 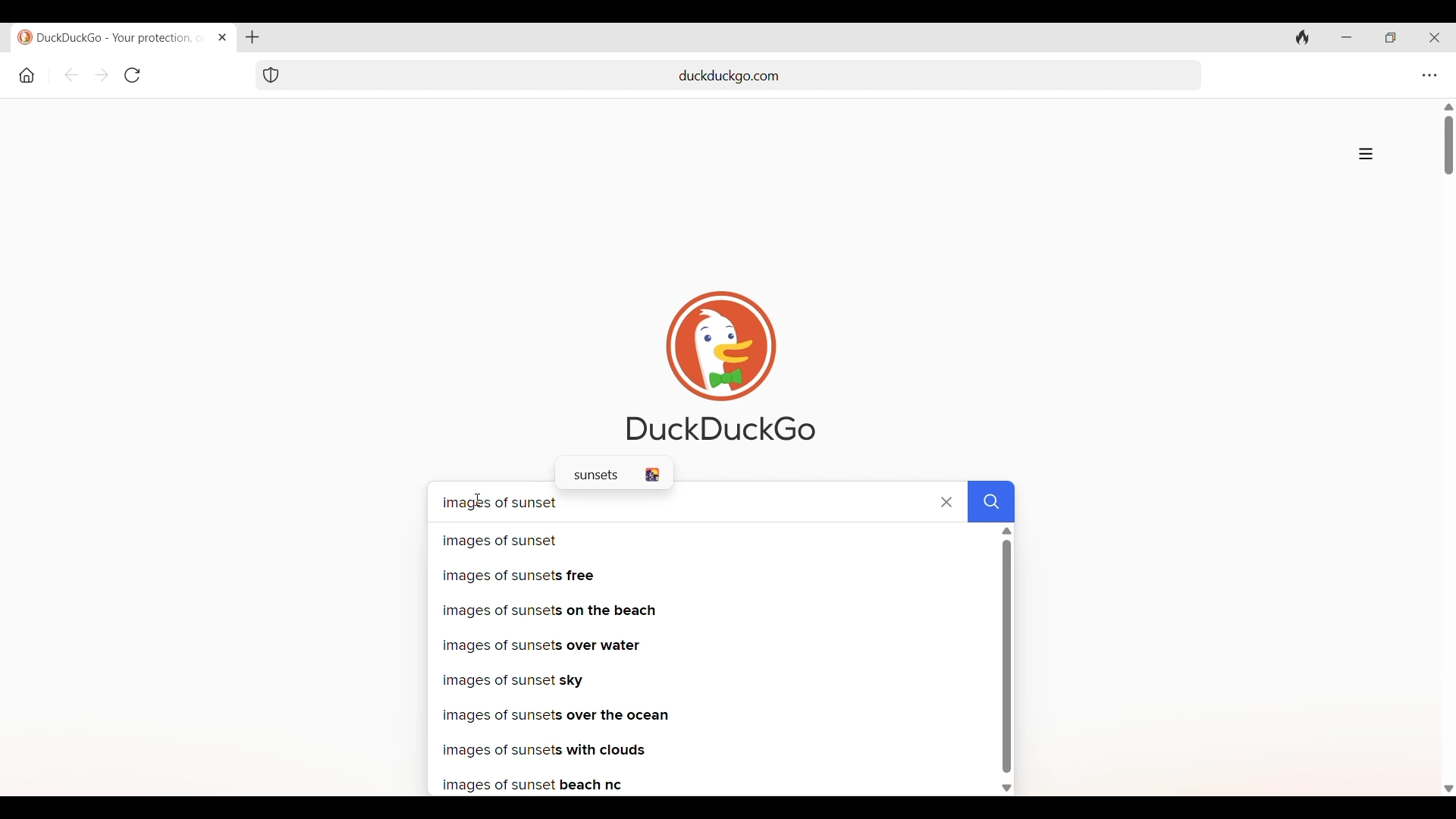 I want to click on Home, so click(x=27, y=76).